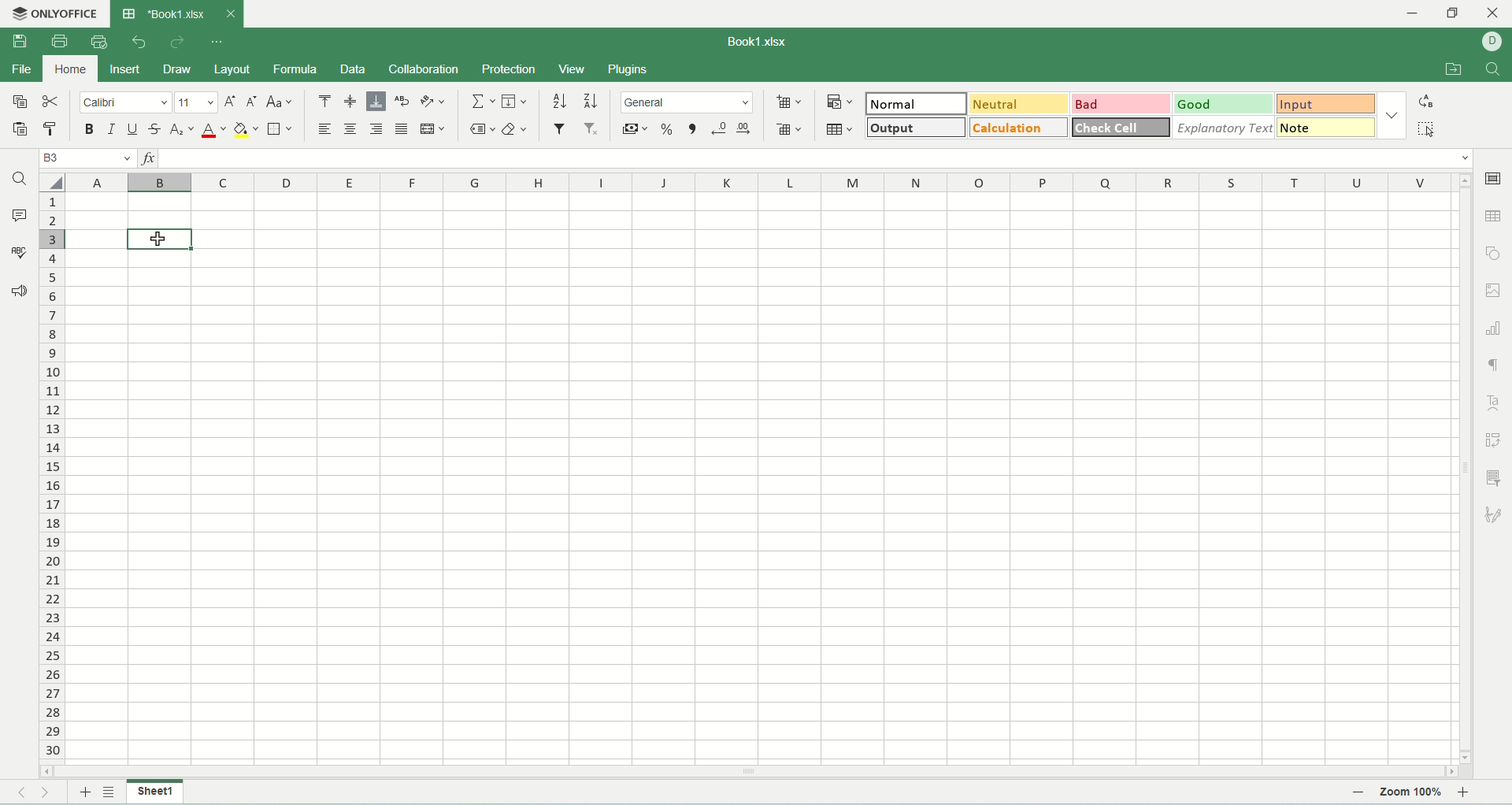  I want to click on input line, so click(816, 158).